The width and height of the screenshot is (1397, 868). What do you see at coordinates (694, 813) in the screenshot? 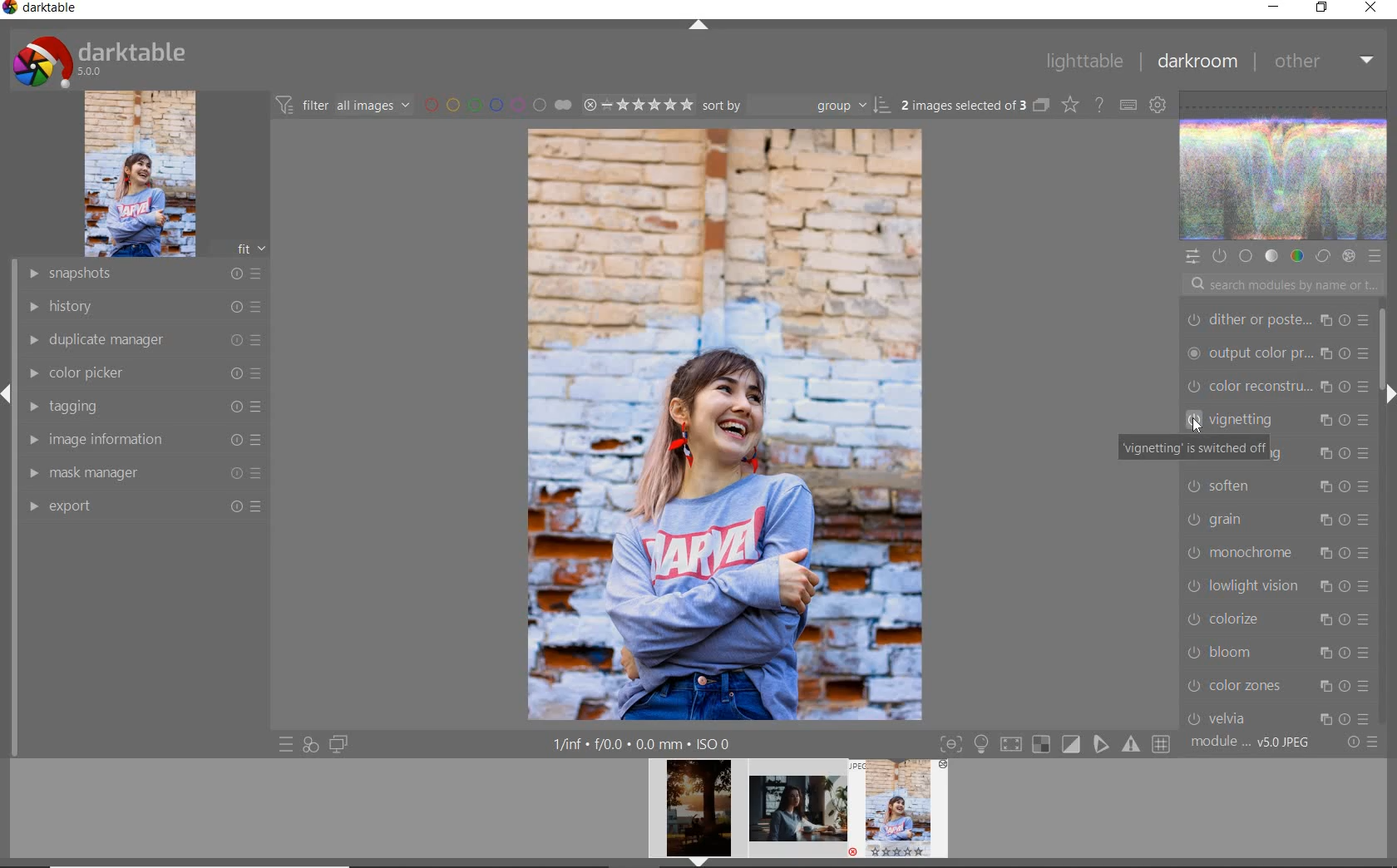
I see `image preview` at bounding box center [694, 813].